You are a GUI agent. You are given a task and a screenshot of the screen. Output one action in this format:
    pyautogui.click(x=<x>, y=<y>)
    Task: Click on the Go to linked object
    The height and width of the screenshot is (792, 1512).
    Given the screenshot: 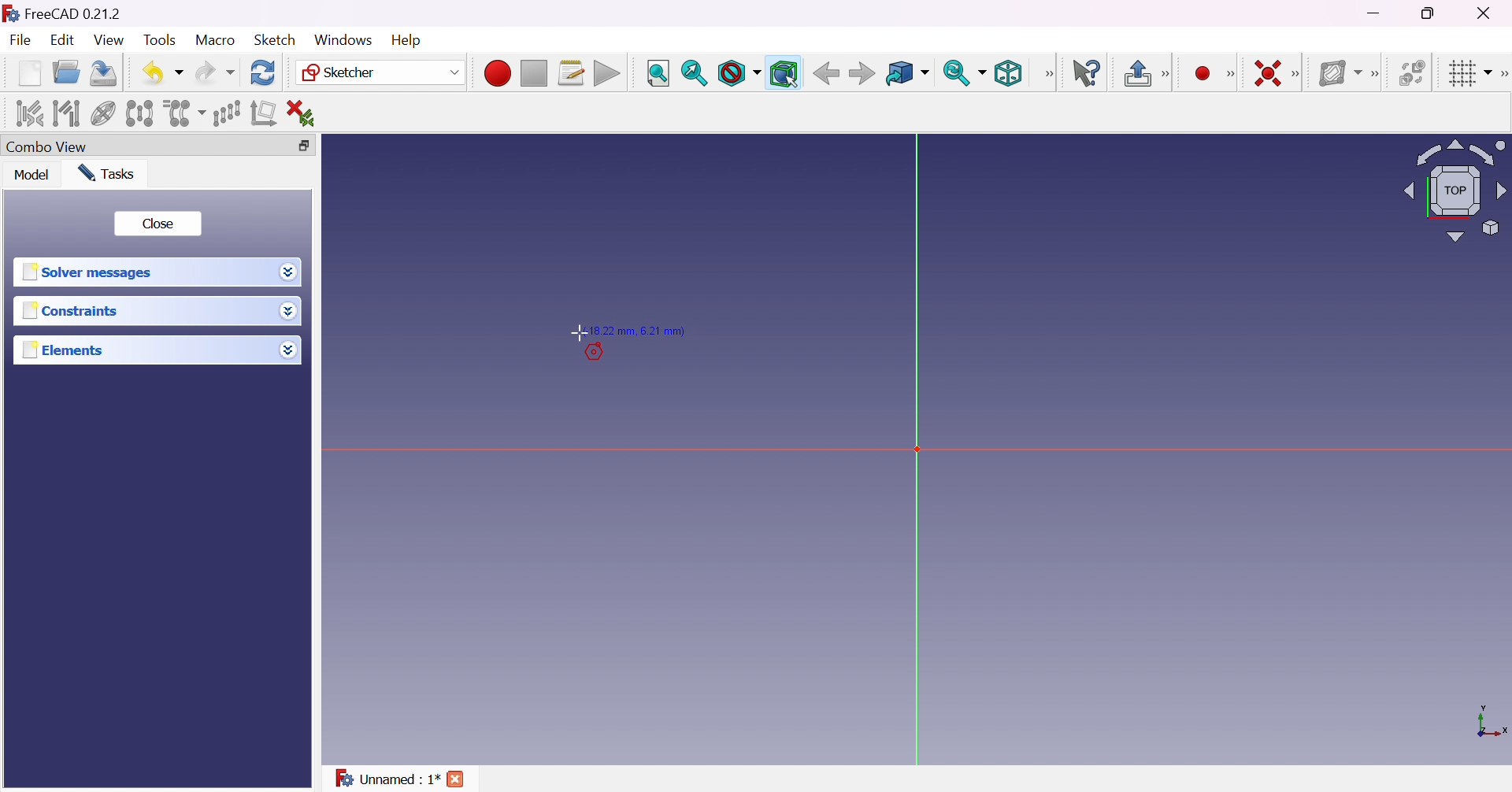 What is the action you would take?
    pyautogui.click(x=907, y=75)
    